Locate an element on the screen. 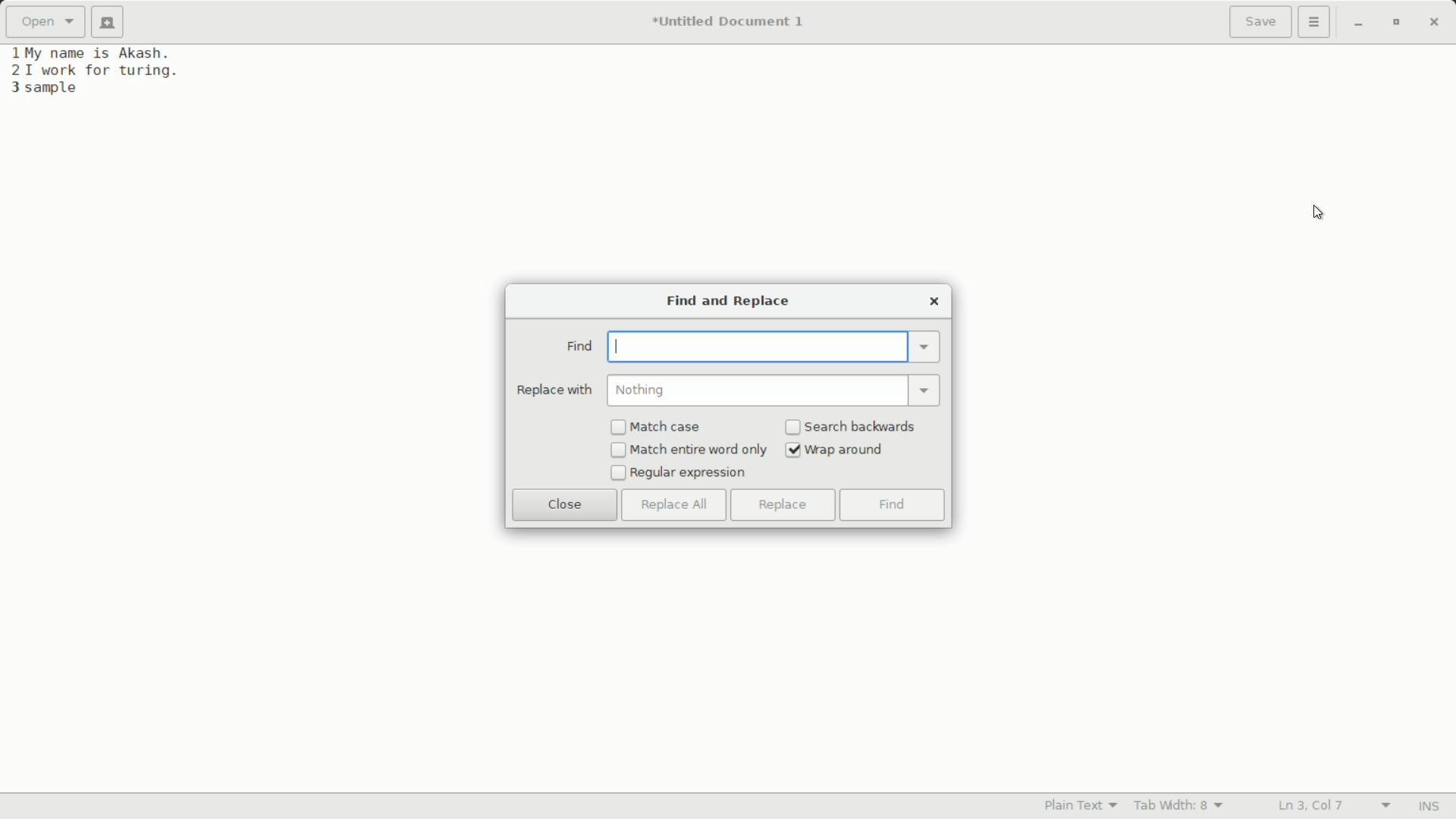 The width and height of the screenshot is (1456, 819). close is located at coordinates (934, 301).